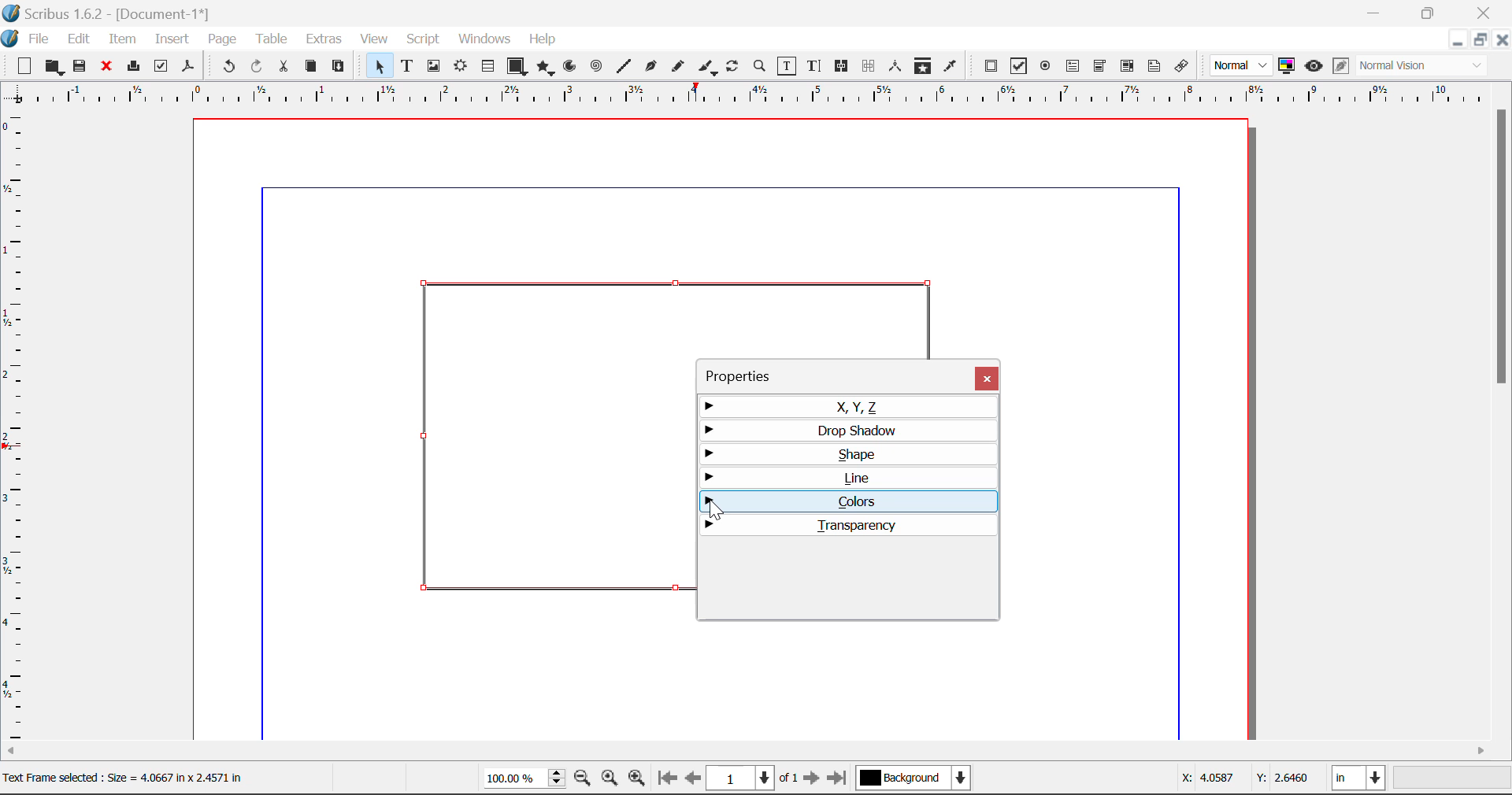  What do you see at coordinates (713, 505) in the screenshot?
I see `Cursor Position` at bounding box center [713, 505].